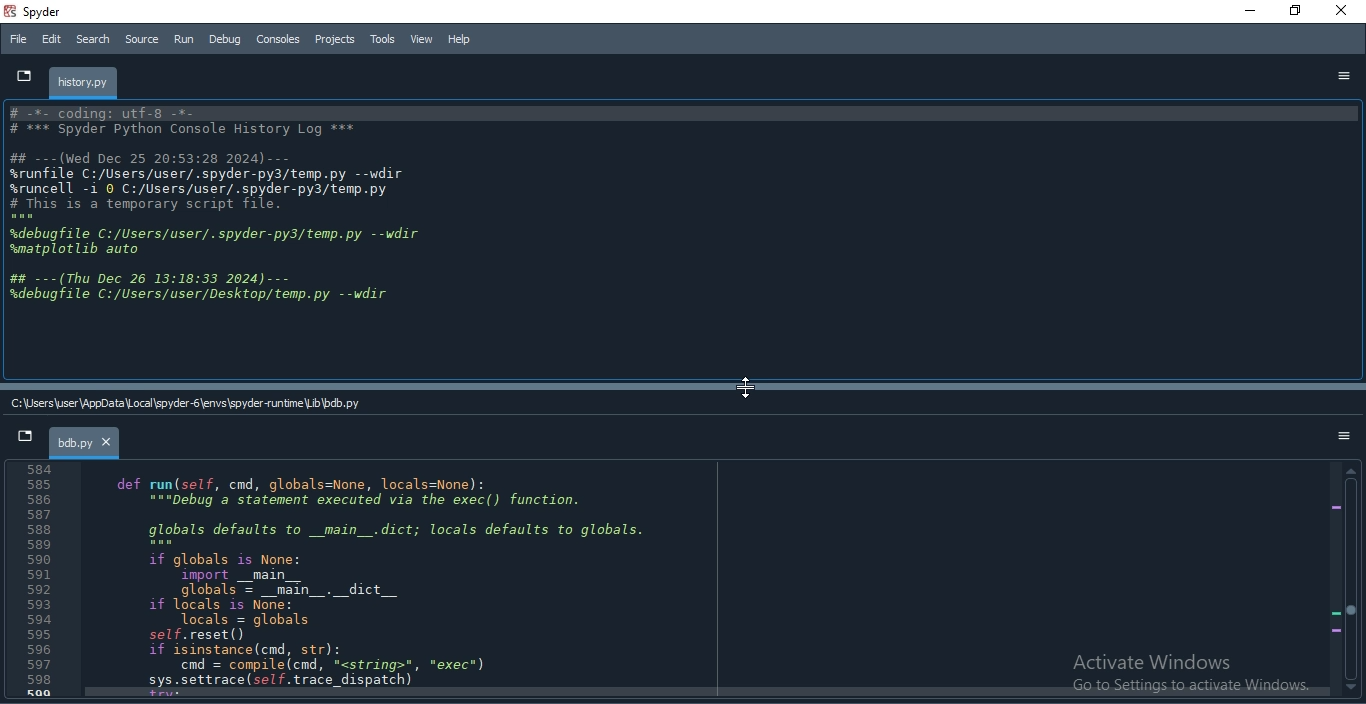  What do you see at coordinates (420, 38) in the screenshot?
I see `View` at bounding box center [420, 38].